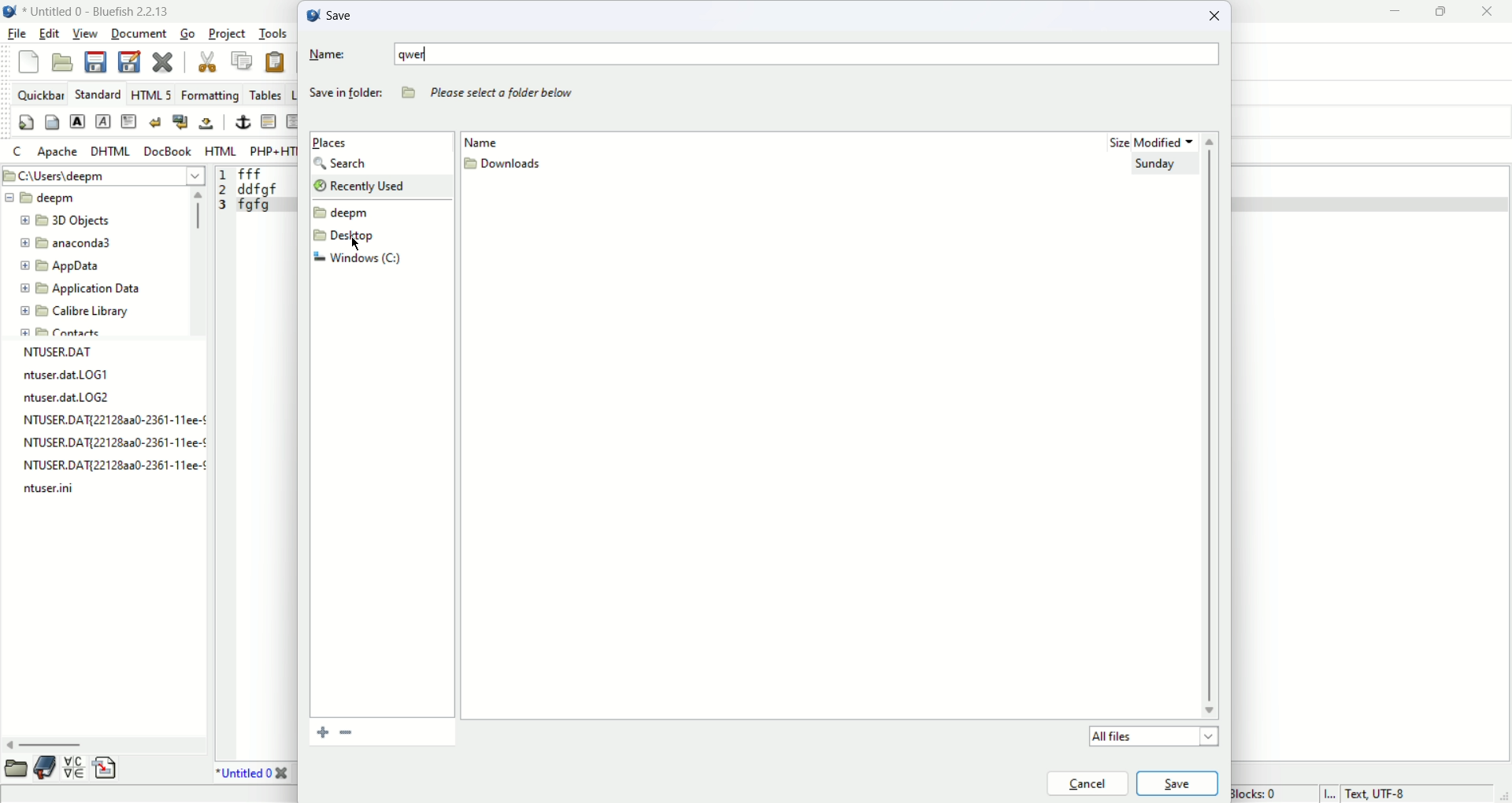  Describe the element at coordinates (1360, 794) in the screenshot. I see `text, UTF-8` at that location.